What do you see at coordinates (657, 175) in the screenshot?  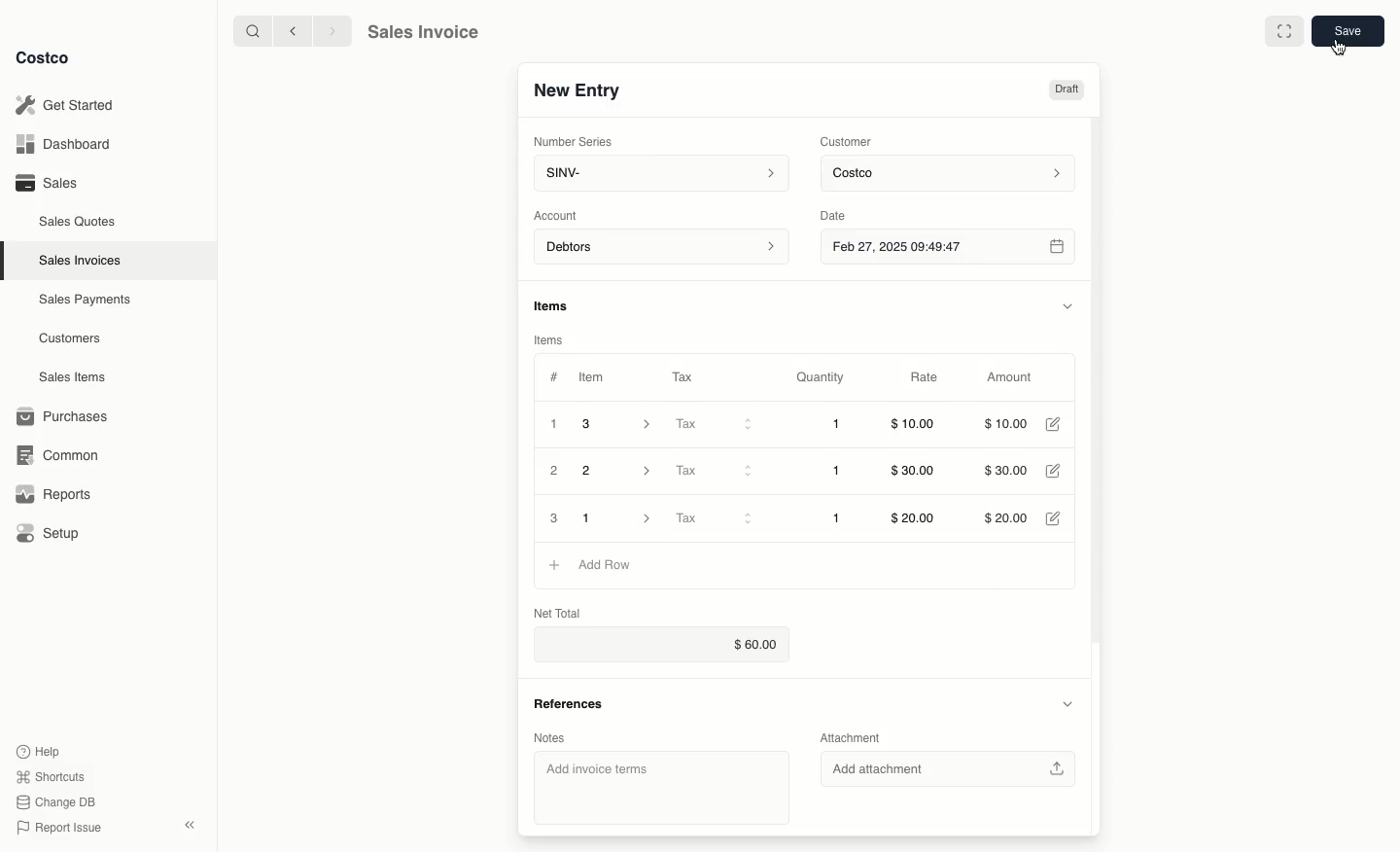 I see `SINV-` at bounding box center [657, 175].